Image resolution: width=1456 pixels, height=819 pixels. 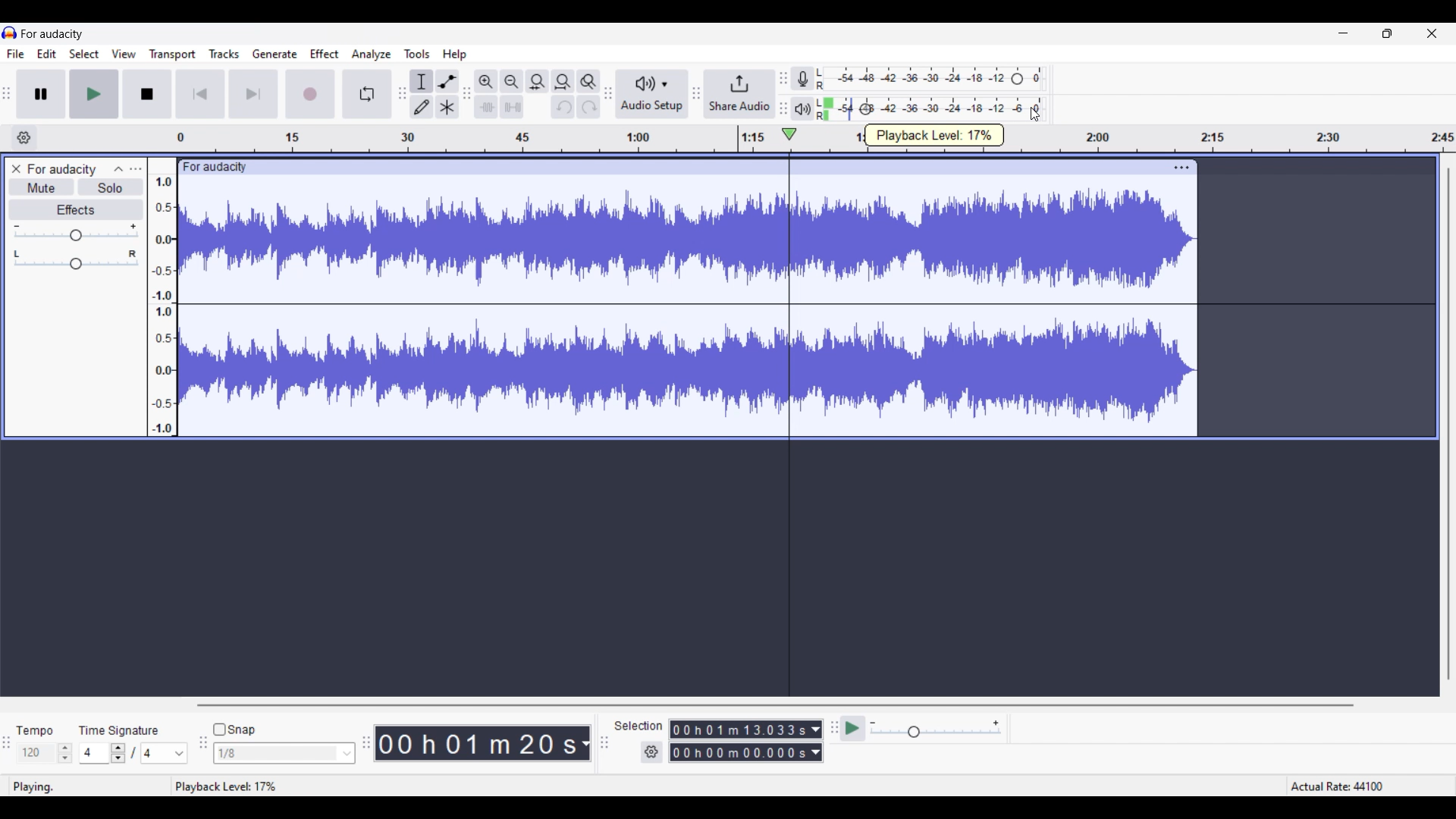 I want to click on Fit project to width, so click(x=563, y=82).